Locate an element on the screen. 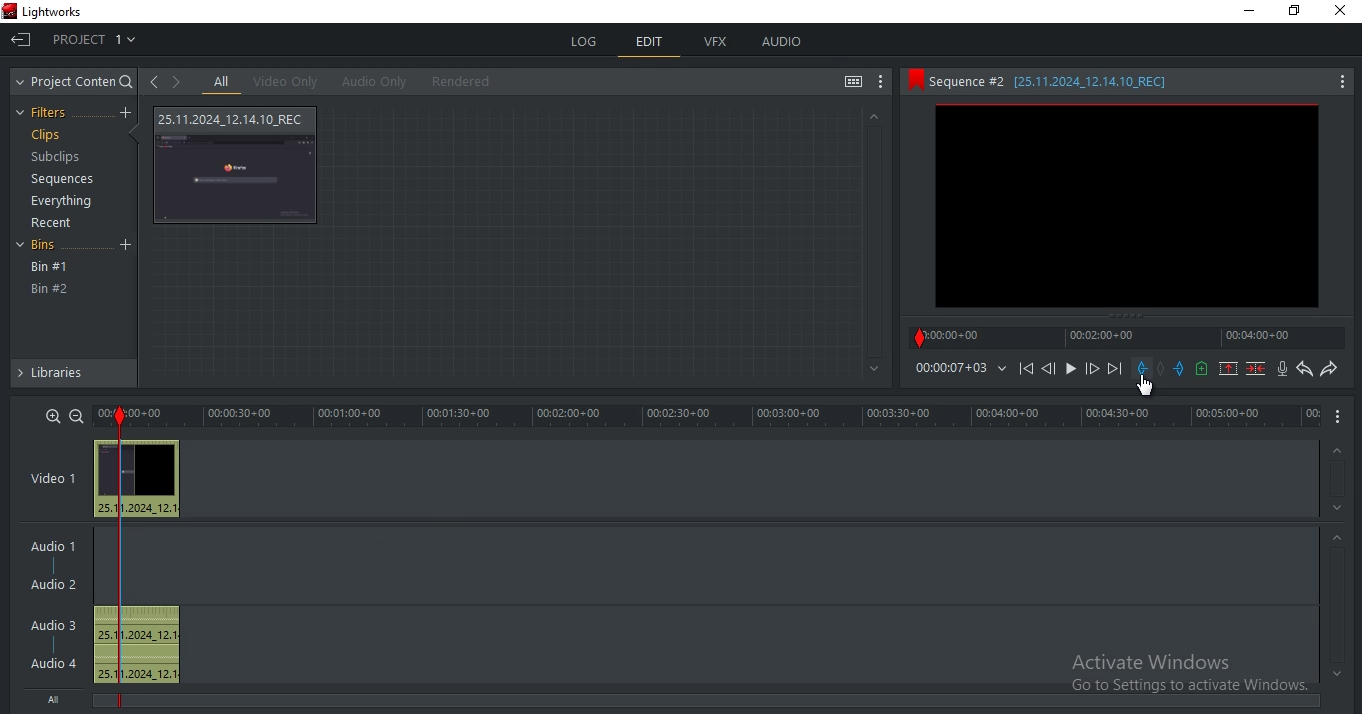 The width and height of the screenshot is (1362, 714). everything is located at coordinates (65, 200).